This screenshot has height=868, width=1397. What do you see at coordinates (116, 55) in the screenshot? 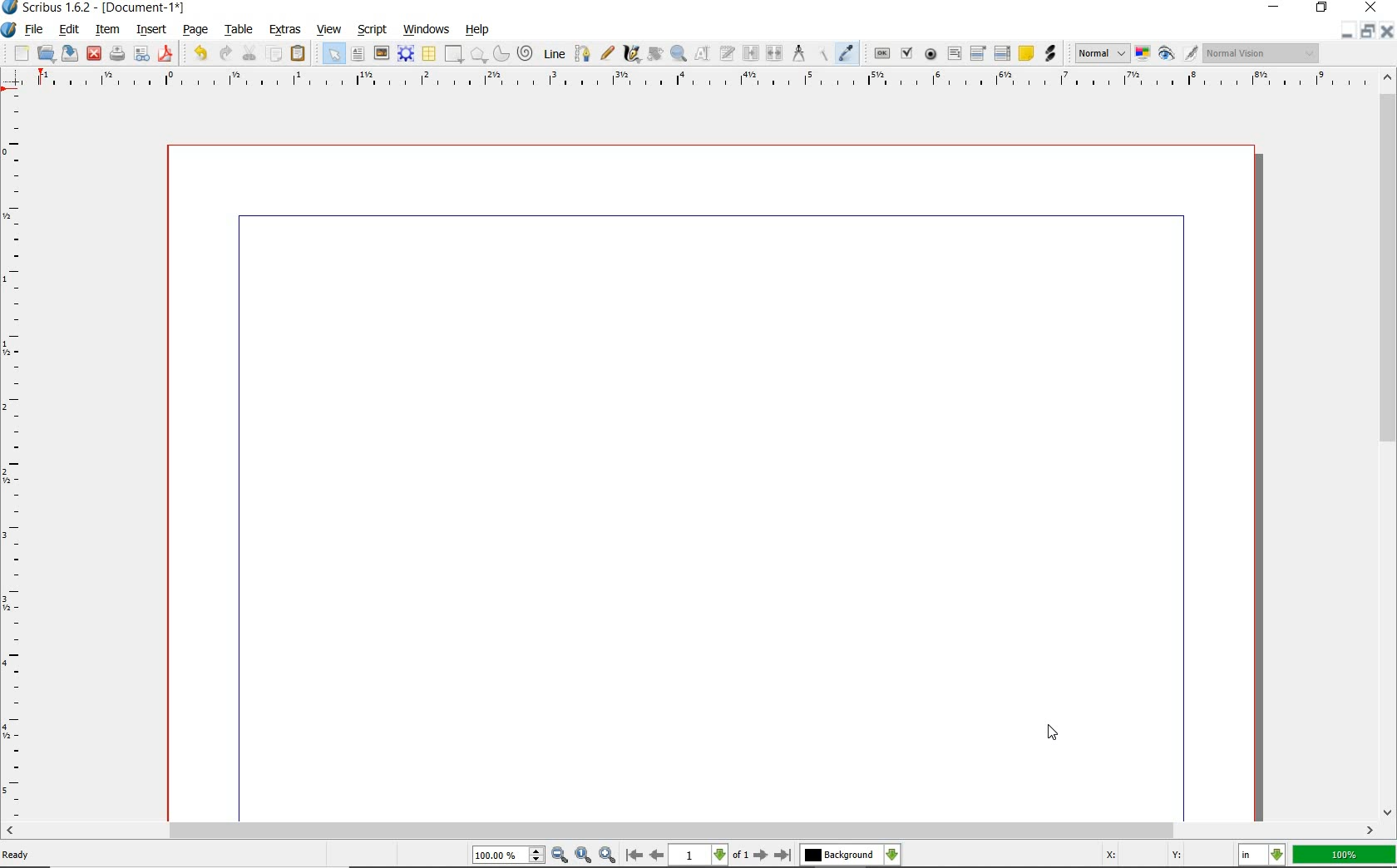
I see `preflight verifier` at bounding box center [116, 55].